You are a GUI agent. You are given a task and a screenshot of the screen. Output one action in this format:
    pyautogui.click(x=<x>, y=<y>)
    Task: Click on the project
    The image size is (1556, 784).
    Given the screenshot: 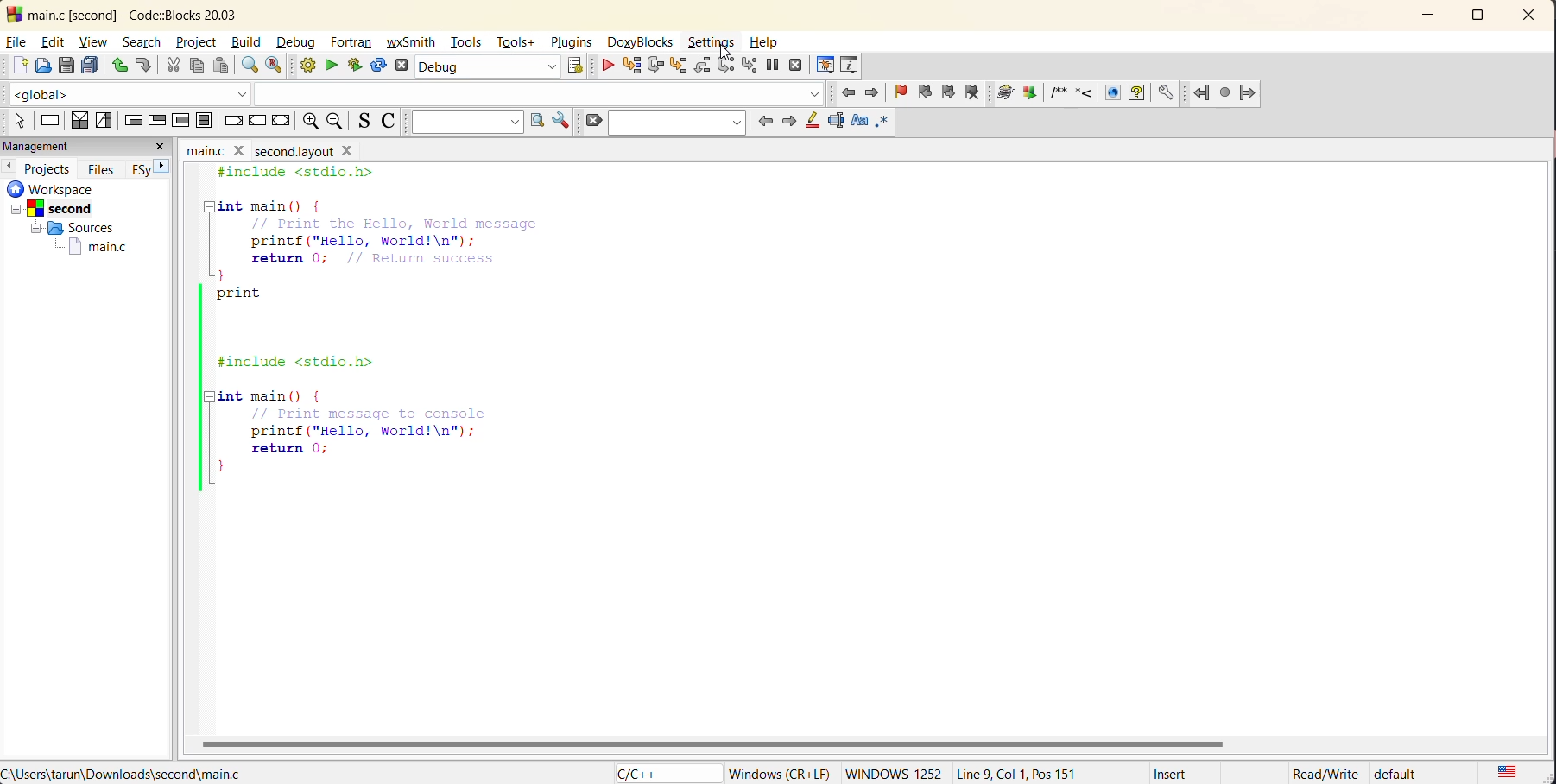 What is the action you would take?
    pyautogui.click(x=196, y=43)
    